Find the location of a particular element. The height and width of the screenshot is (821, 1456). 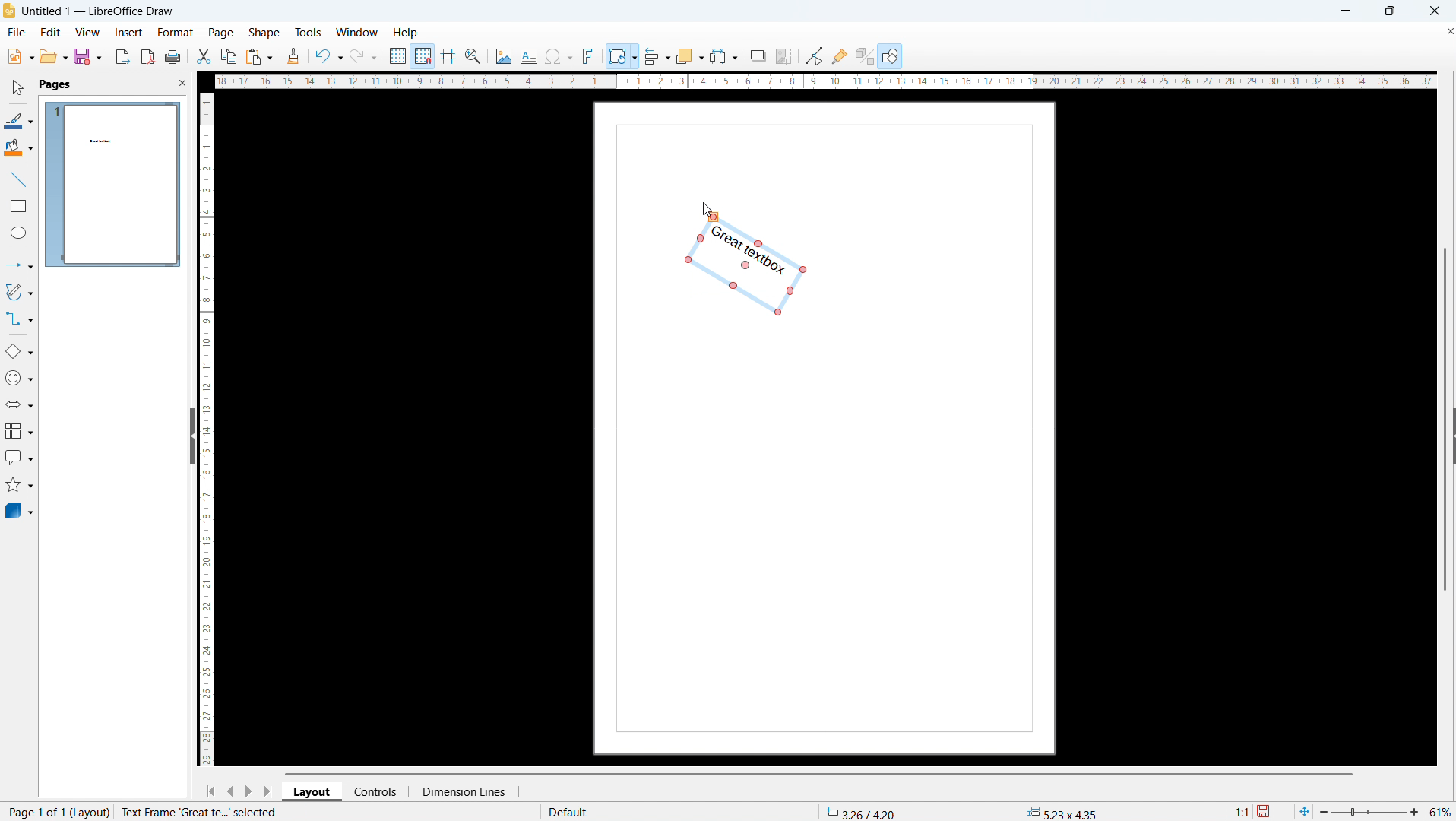

cut is located at coordinates (203, 56).